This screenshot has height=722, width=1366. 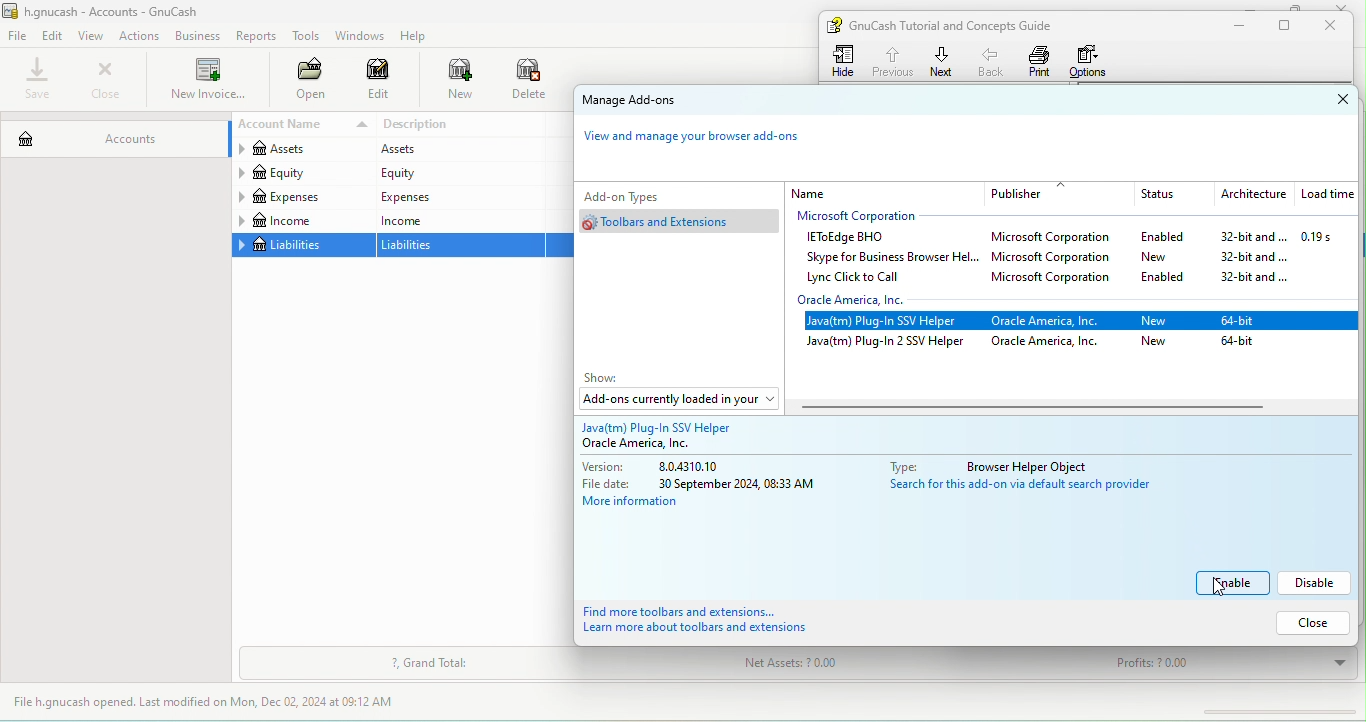 I want to click on close, so click(x=1325, y=100).